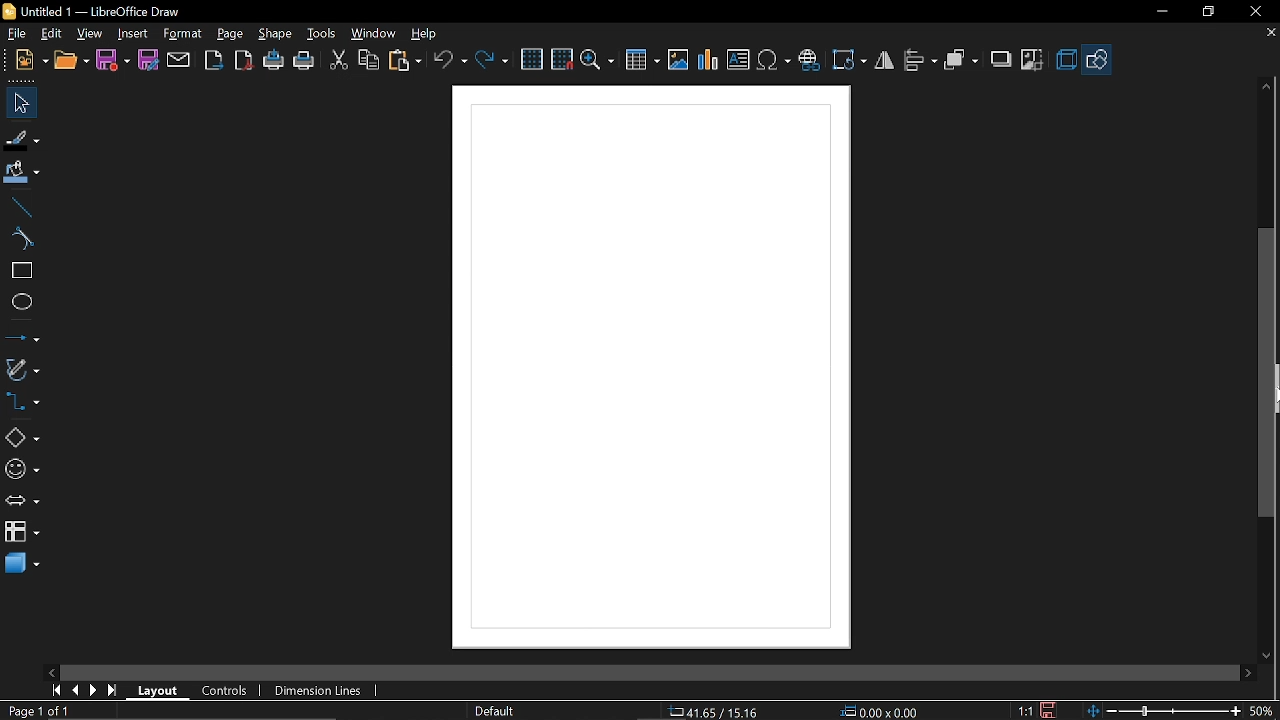 The height and width of the screenshot is (720, 1280). What do you see at coordinates (114, 59) in the screenshot?
I see `save` at bounding box center [114, 59].